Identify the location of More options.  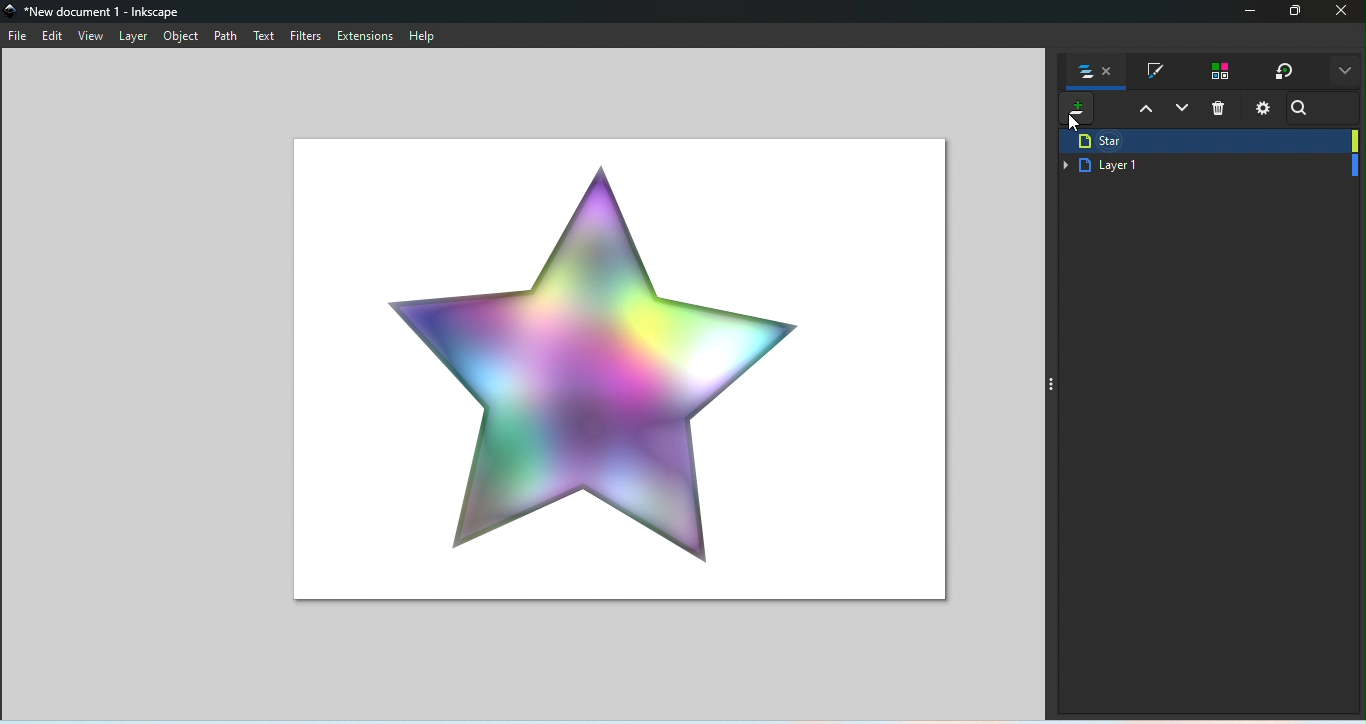
(1344, 73).